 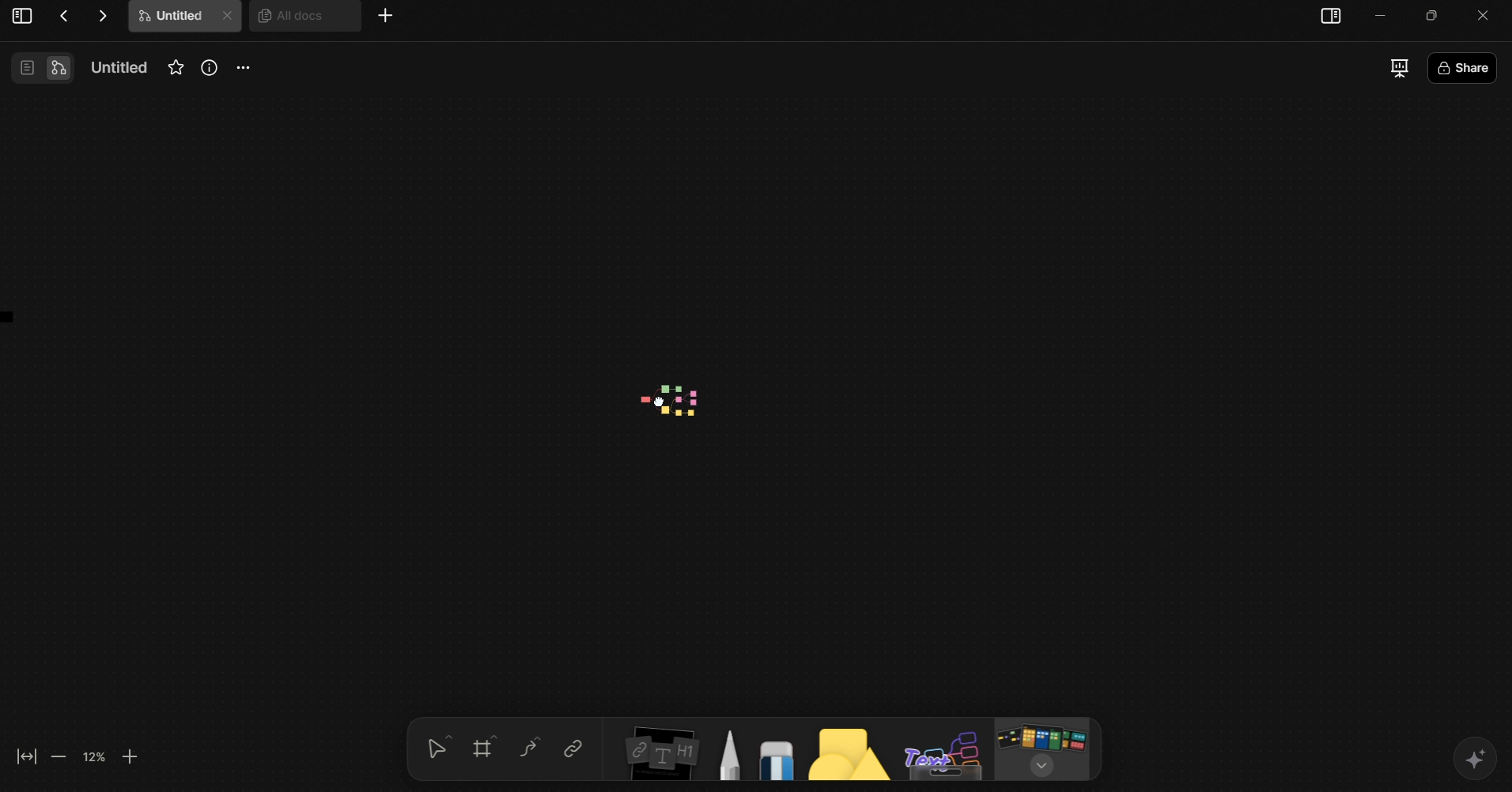 What do you see at coordinates (660, 398) in the screenshot?
I see `mind map` at bounding box center [660, 398].